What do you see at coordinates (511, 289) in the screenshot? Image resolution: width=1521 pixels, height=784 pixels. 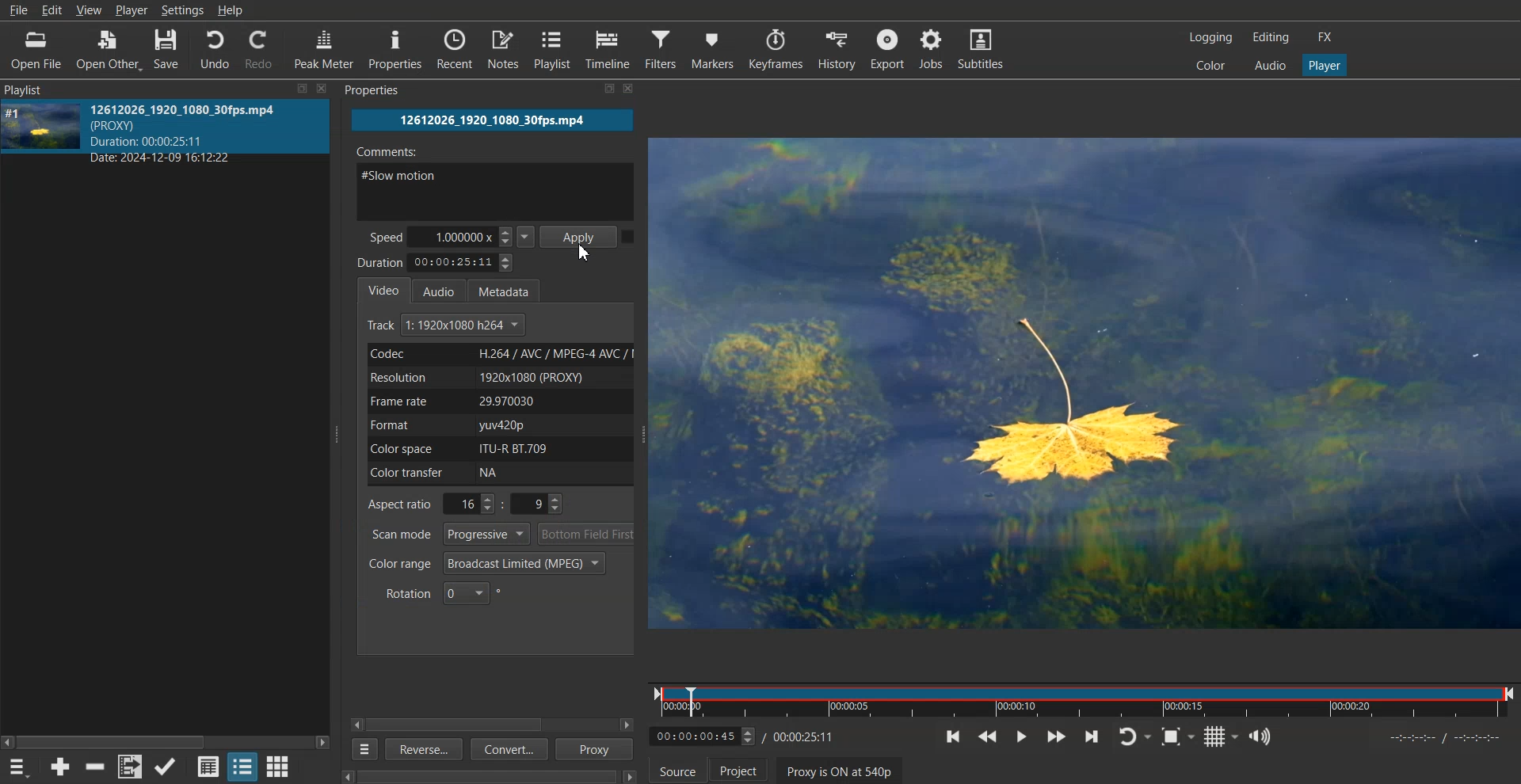 I see `Metadata` at bounding box center [511, 289].